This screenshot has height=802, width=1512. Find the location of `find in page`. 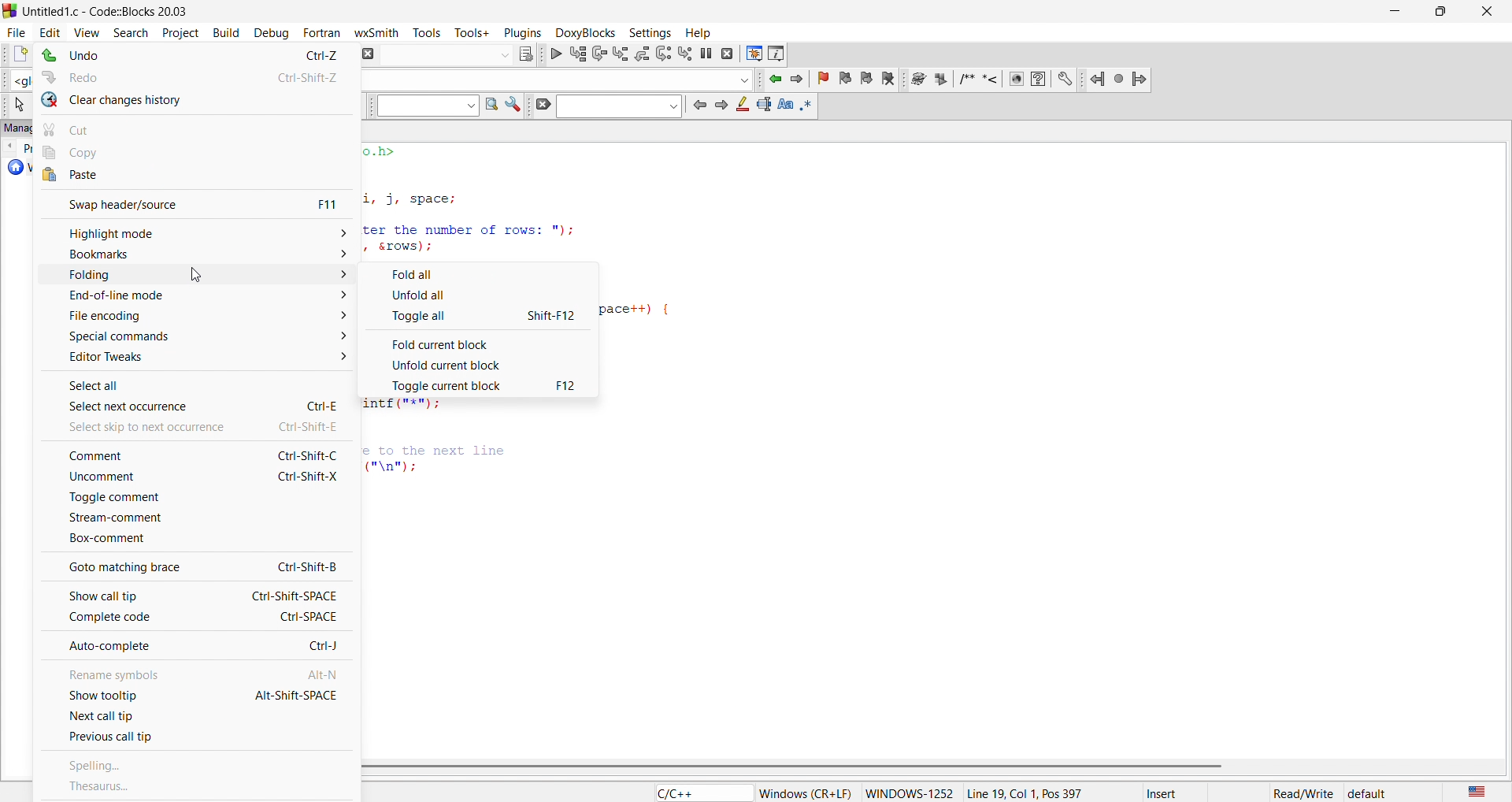

find in page is located at coordinates (489, 106).